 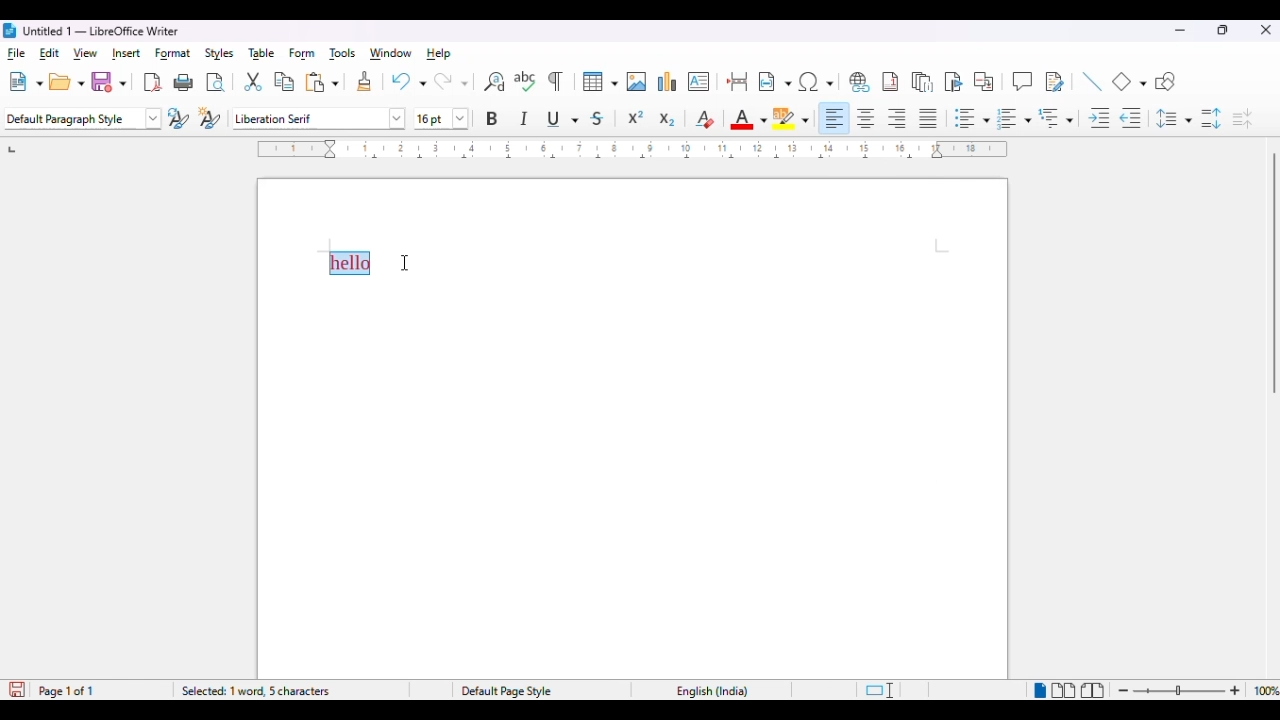 What do you see at coordinates (721, 694) in the screenshot?
I see `English (India)` at bounding box center [721, 694].